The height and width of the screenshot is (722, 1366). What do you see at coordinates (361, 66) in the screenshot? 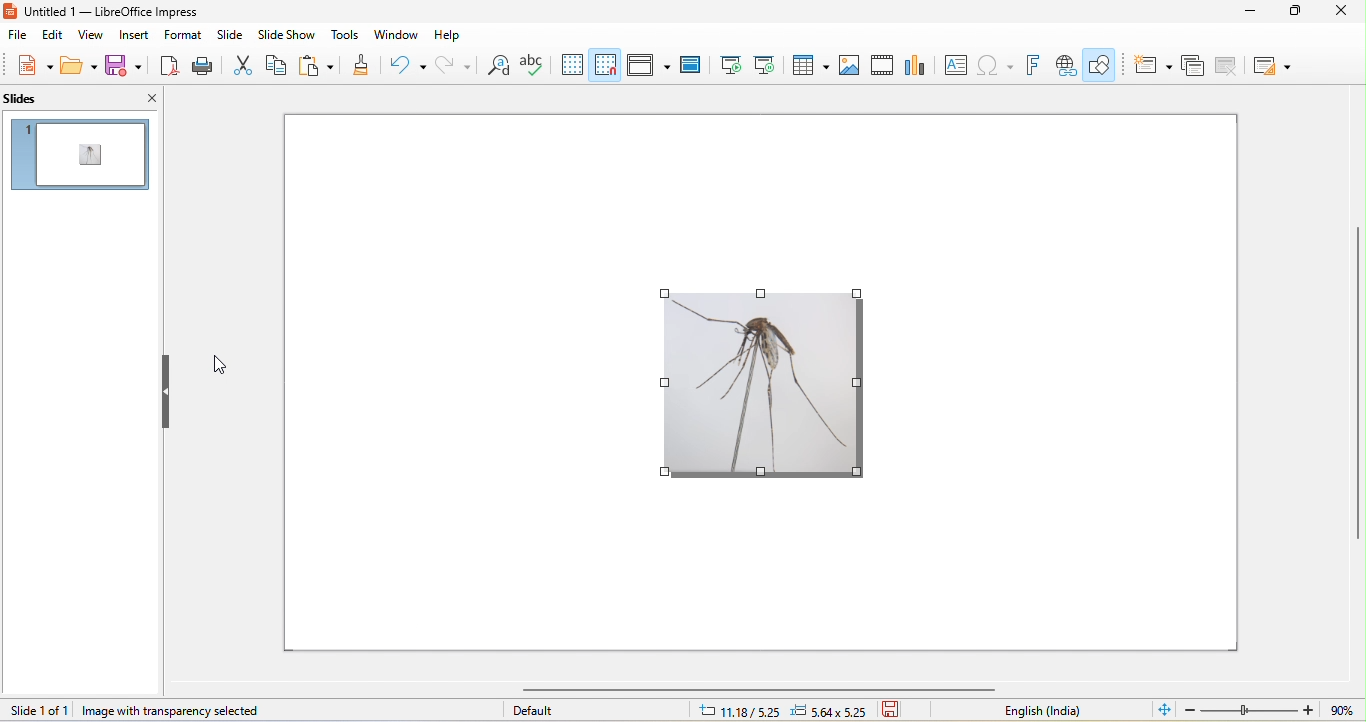
I see `Paint` at bounding box center [361, 66].